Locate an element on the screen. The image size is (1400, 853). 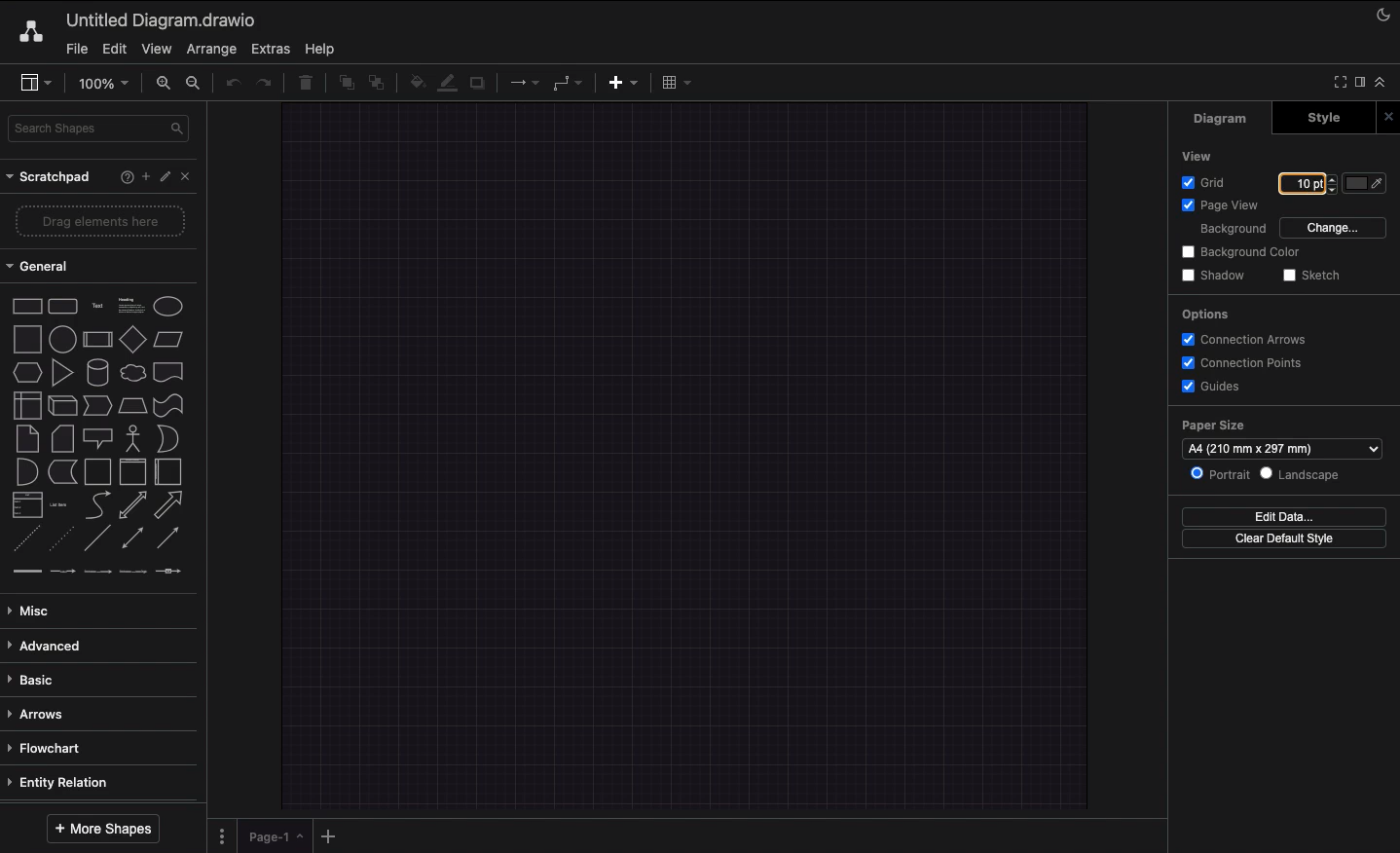
Help is located at coordinates (325, 49).